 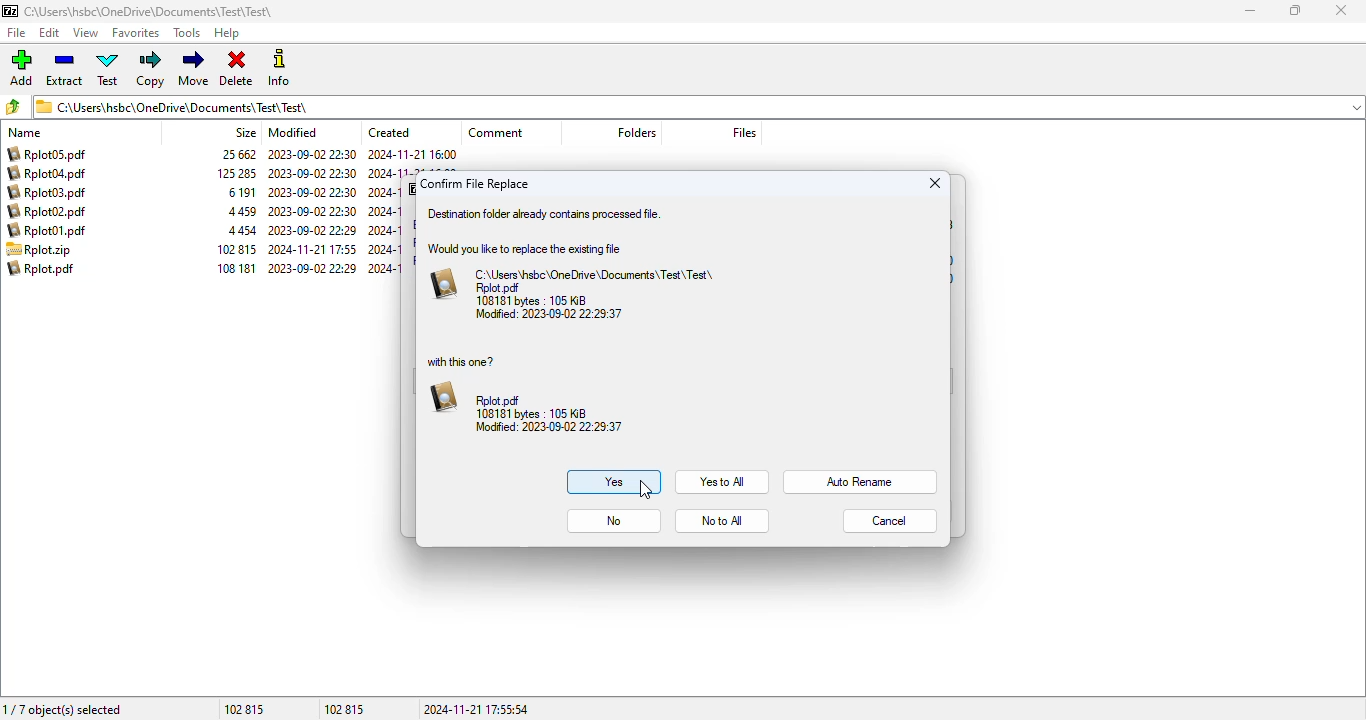 I want to click on test, so click(x=108, y=68).